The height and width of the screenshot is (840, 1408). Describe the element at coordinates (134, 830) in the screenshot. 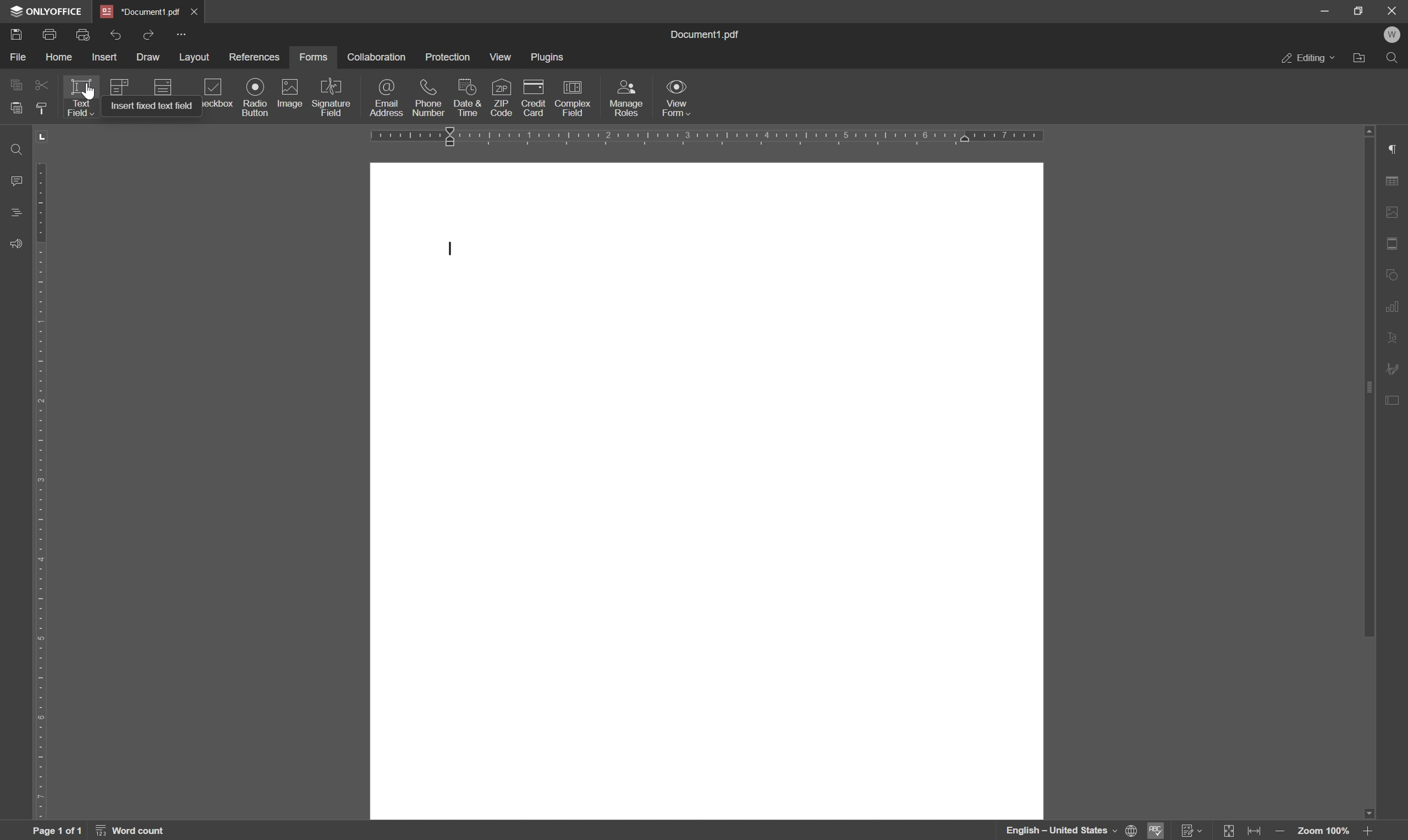

I see `word count` at that location.